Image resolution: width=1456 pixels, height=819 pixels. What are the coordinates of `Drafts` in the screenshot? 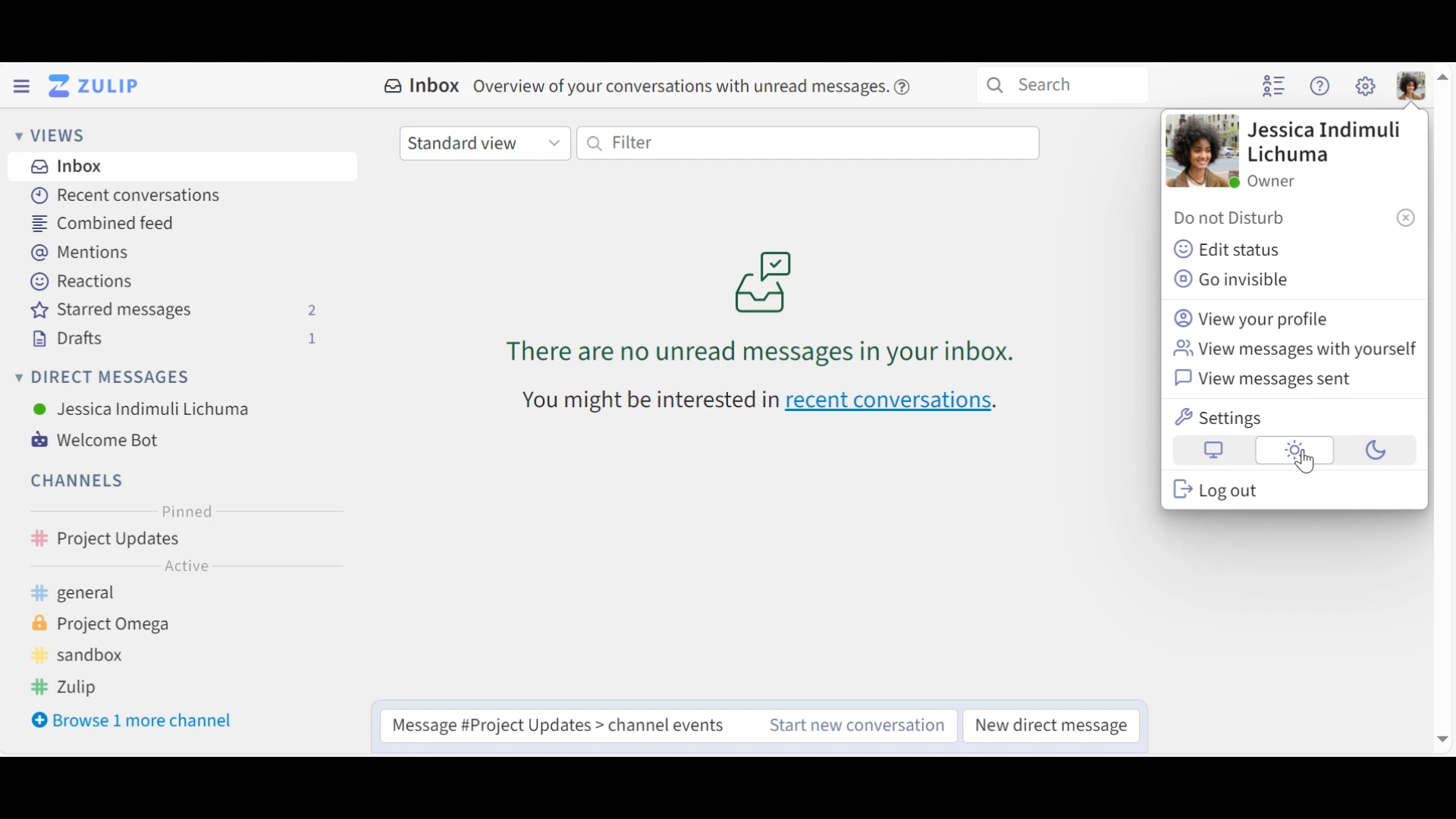 It's located at (178, 339).